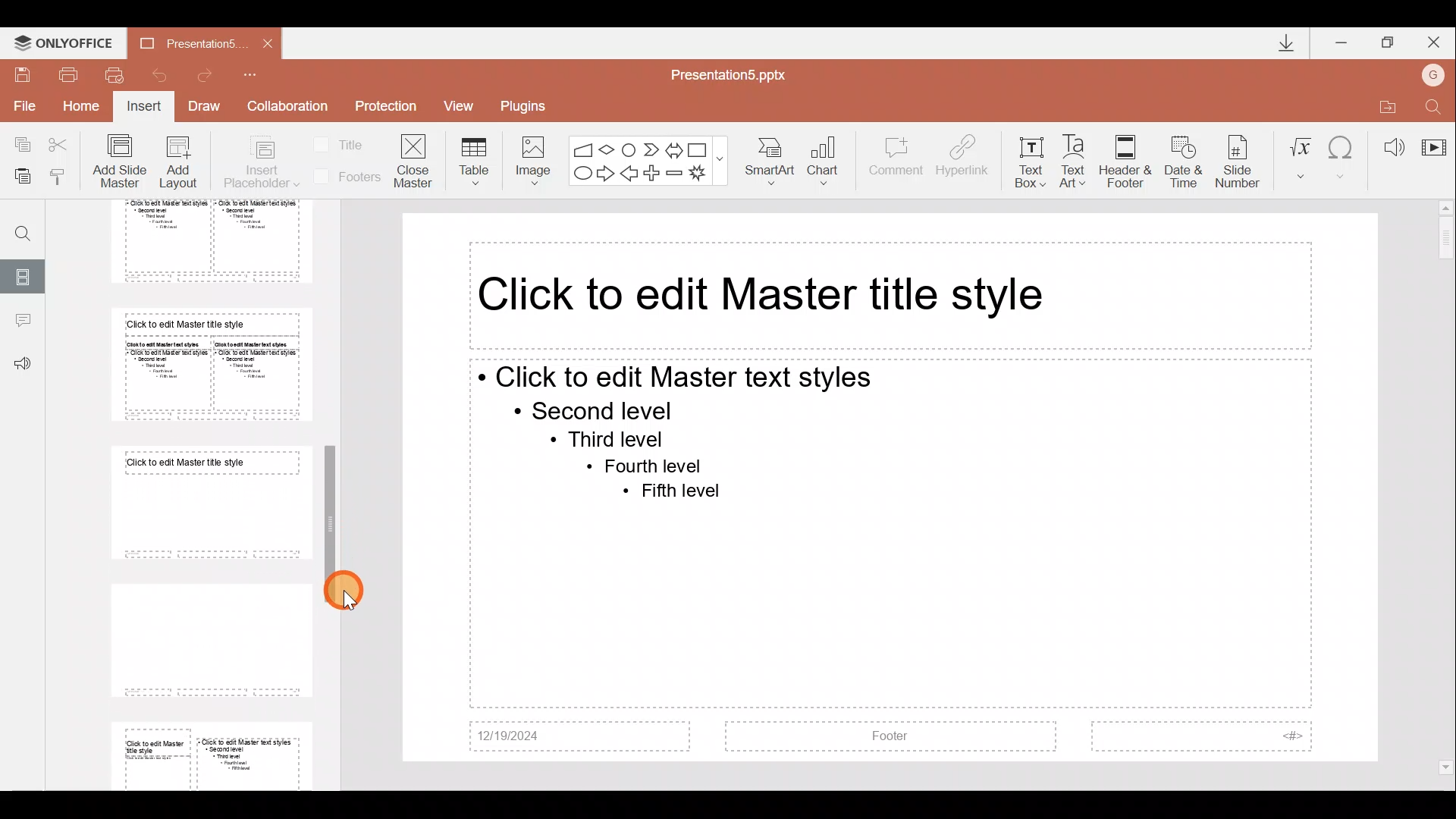 Image resolution: width=1456 pixels, height=819 pixels. I want to click on Scroll bar, so click(334, 485).